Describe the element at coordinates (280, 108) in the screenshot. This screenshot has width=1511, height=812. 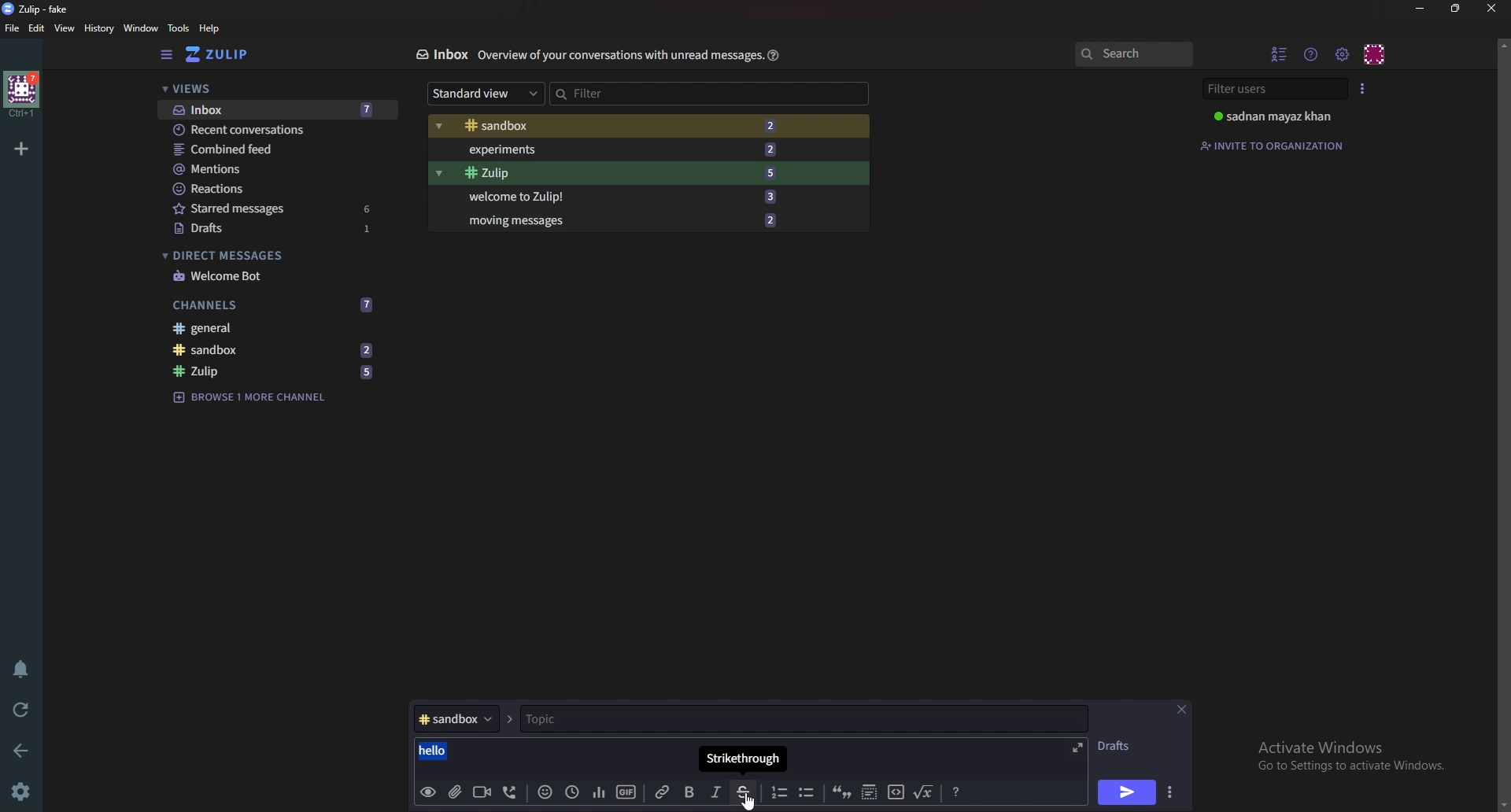
I see `Inbox` at that location.